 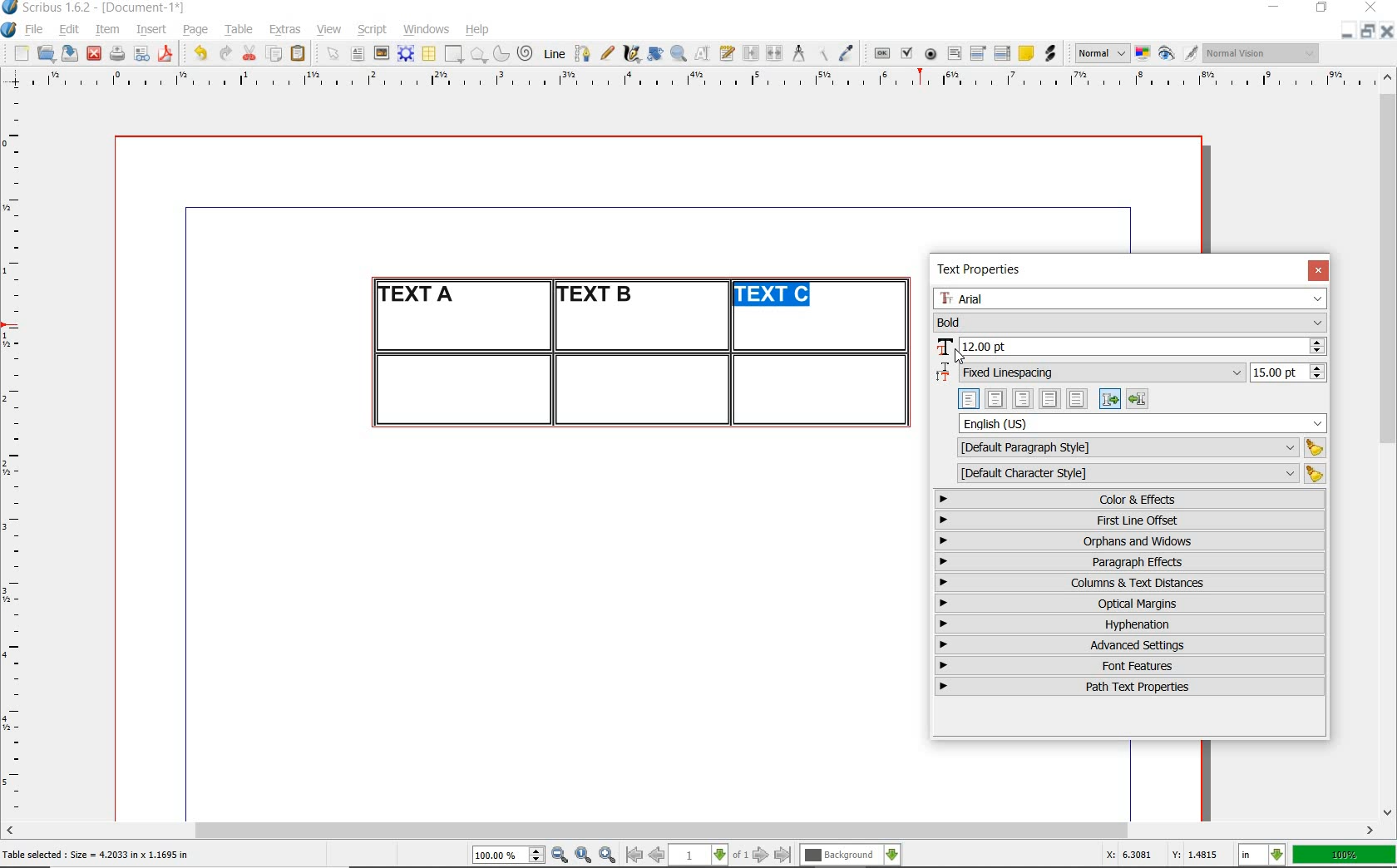 I want to click on ruler, so click(x=18, y=454).